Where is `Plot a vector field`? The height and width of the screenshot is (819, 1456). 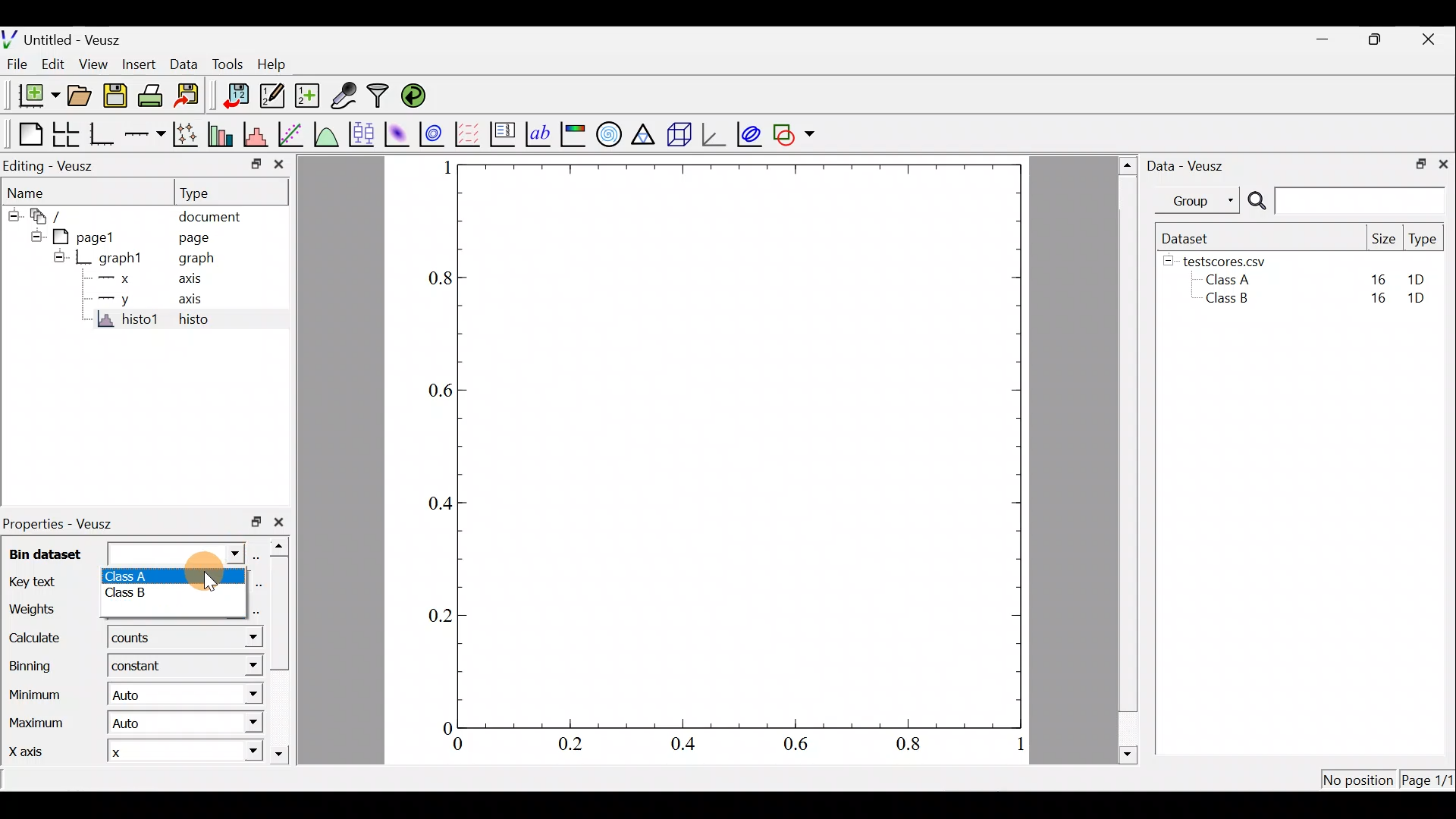
Plot a vector field is located at coordinates (470, 133).